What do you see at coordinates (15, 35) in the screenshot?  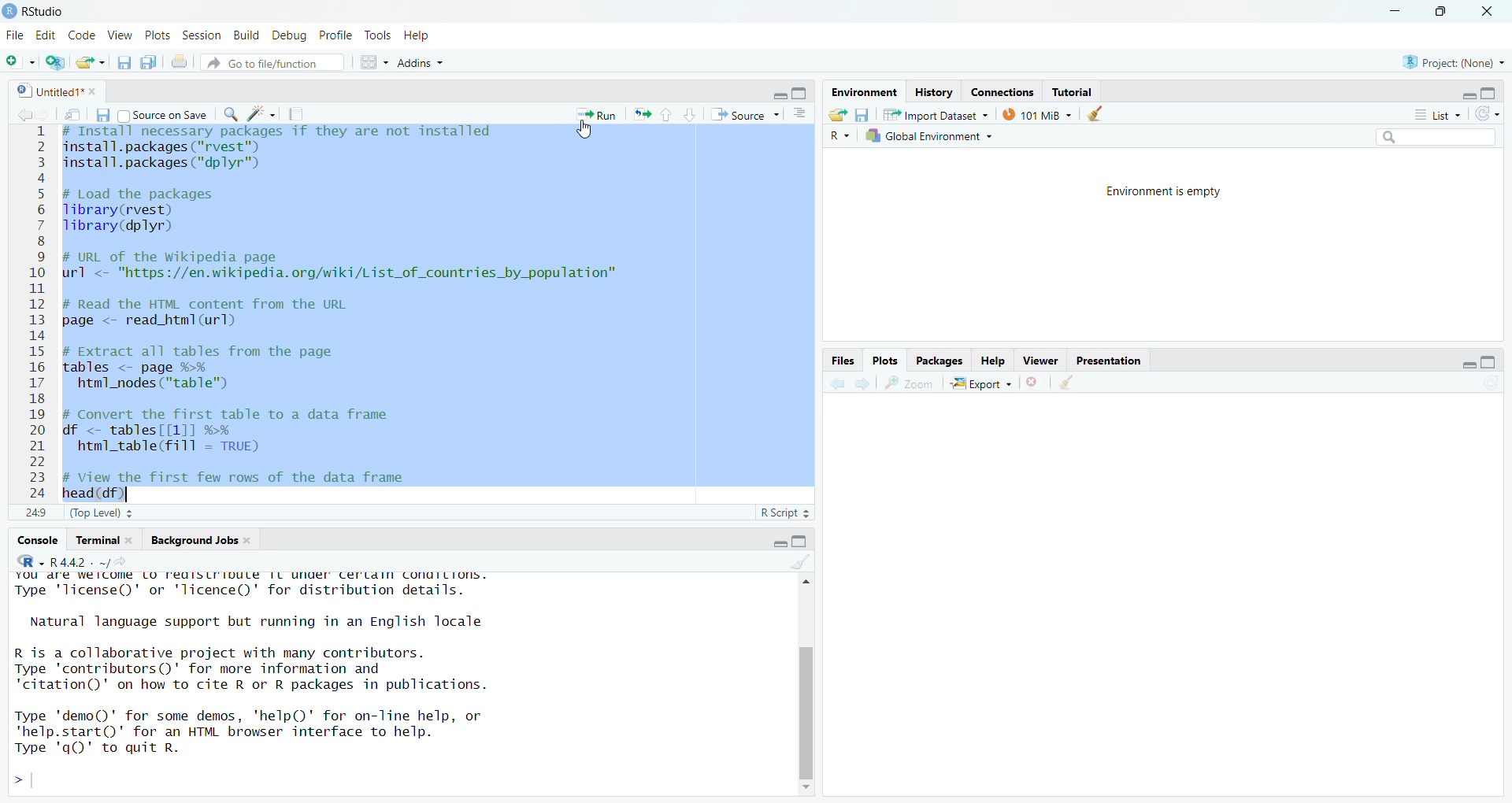 I see `File` at bounding box center [15, 35].